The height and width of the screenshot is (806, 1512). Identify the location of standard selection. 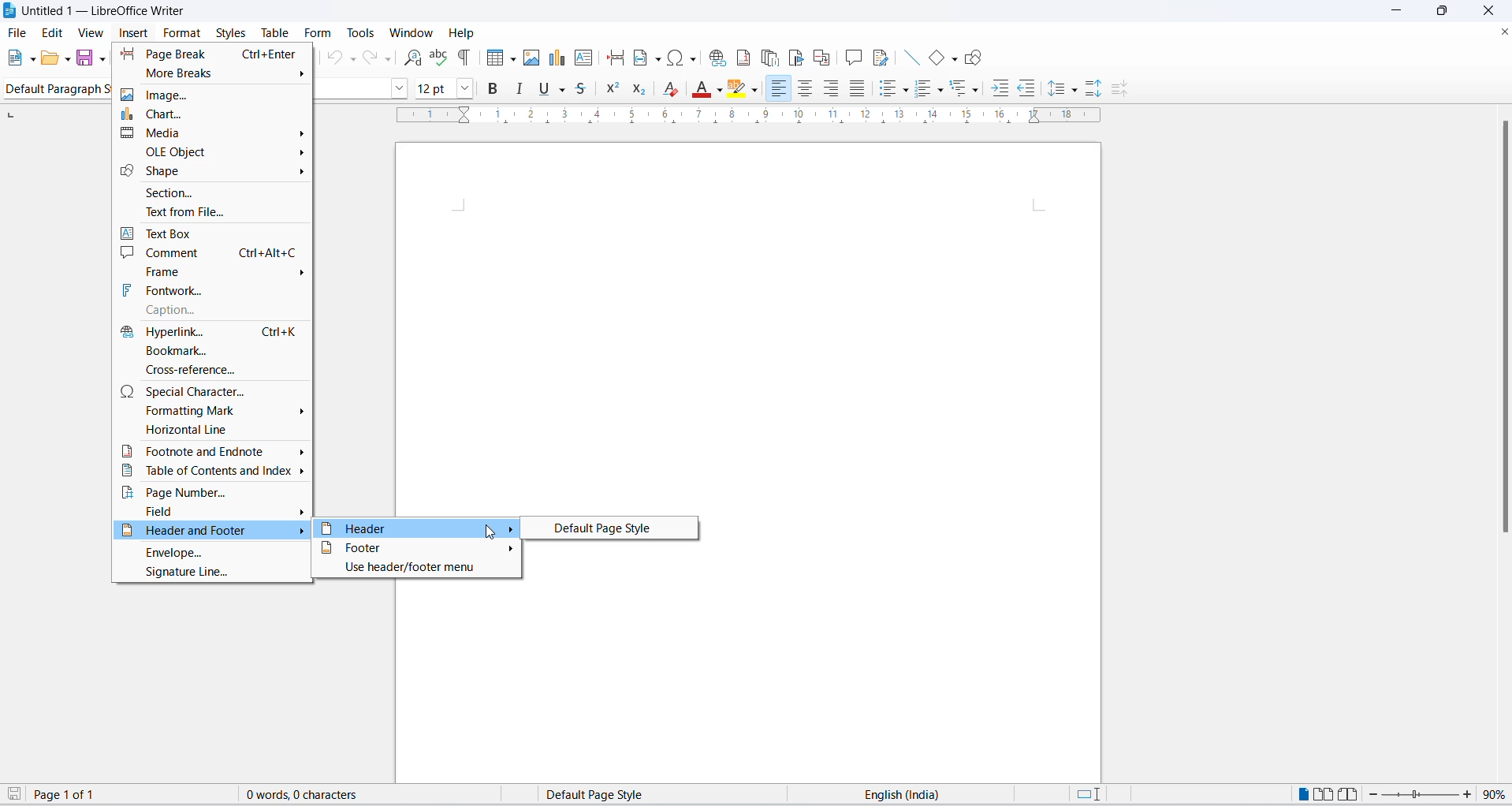
(1087, 794).